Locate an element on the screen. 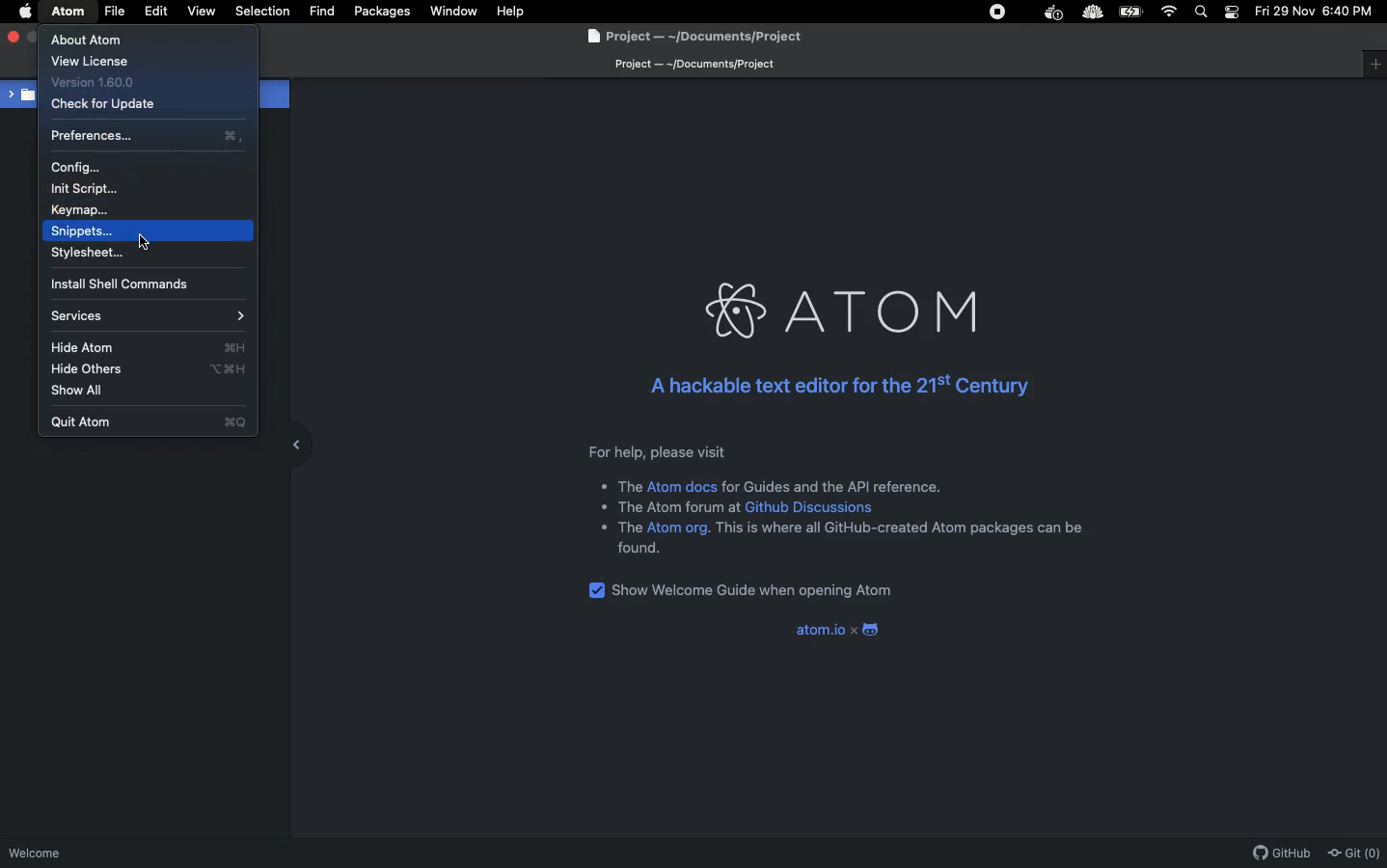 The height and width of the screenshot is (868, 1387). Show all is located at coordinates (81, 391).